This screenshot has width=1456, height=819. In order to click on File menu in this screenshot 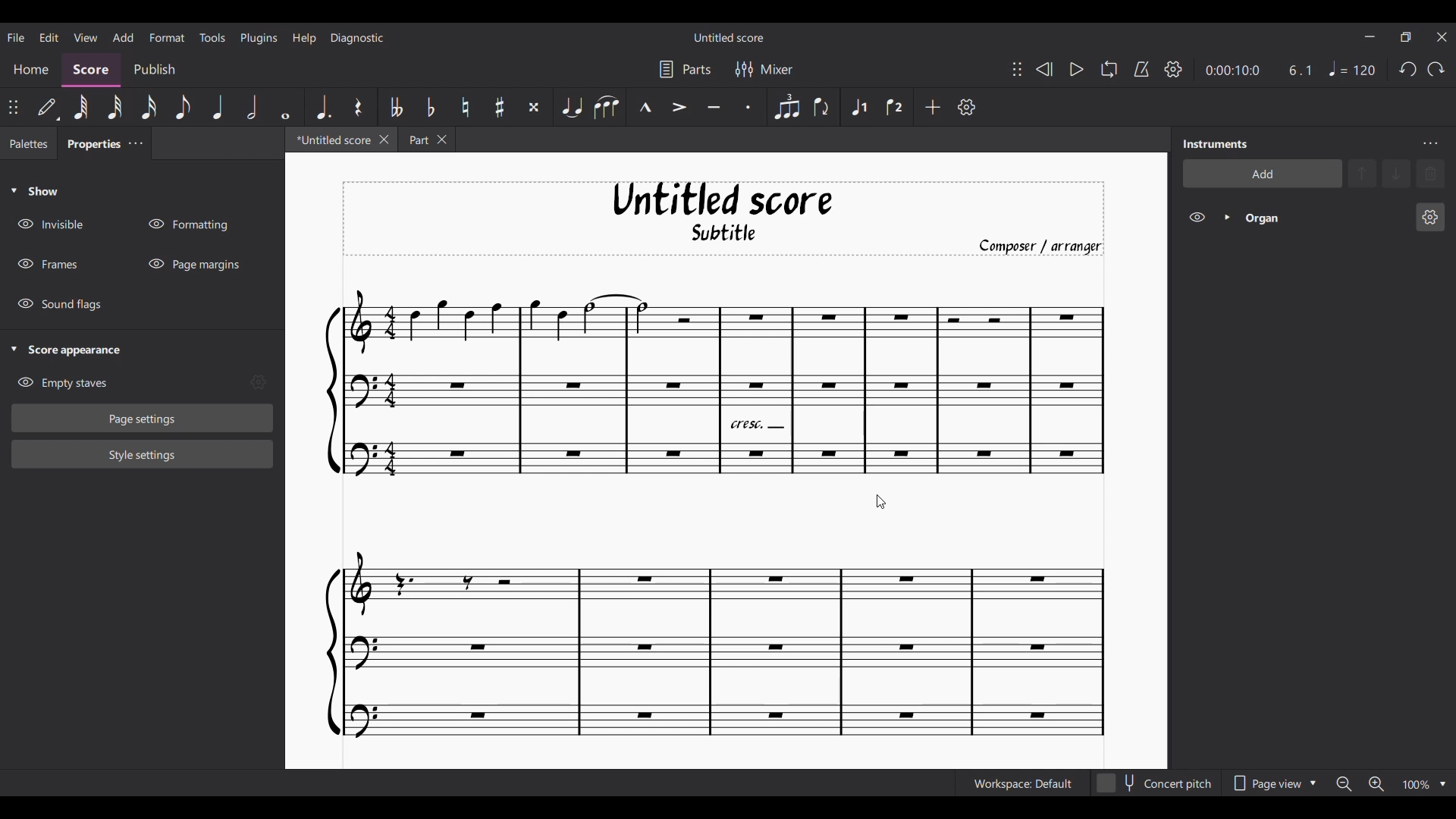, I will do `click(16, 36)`.